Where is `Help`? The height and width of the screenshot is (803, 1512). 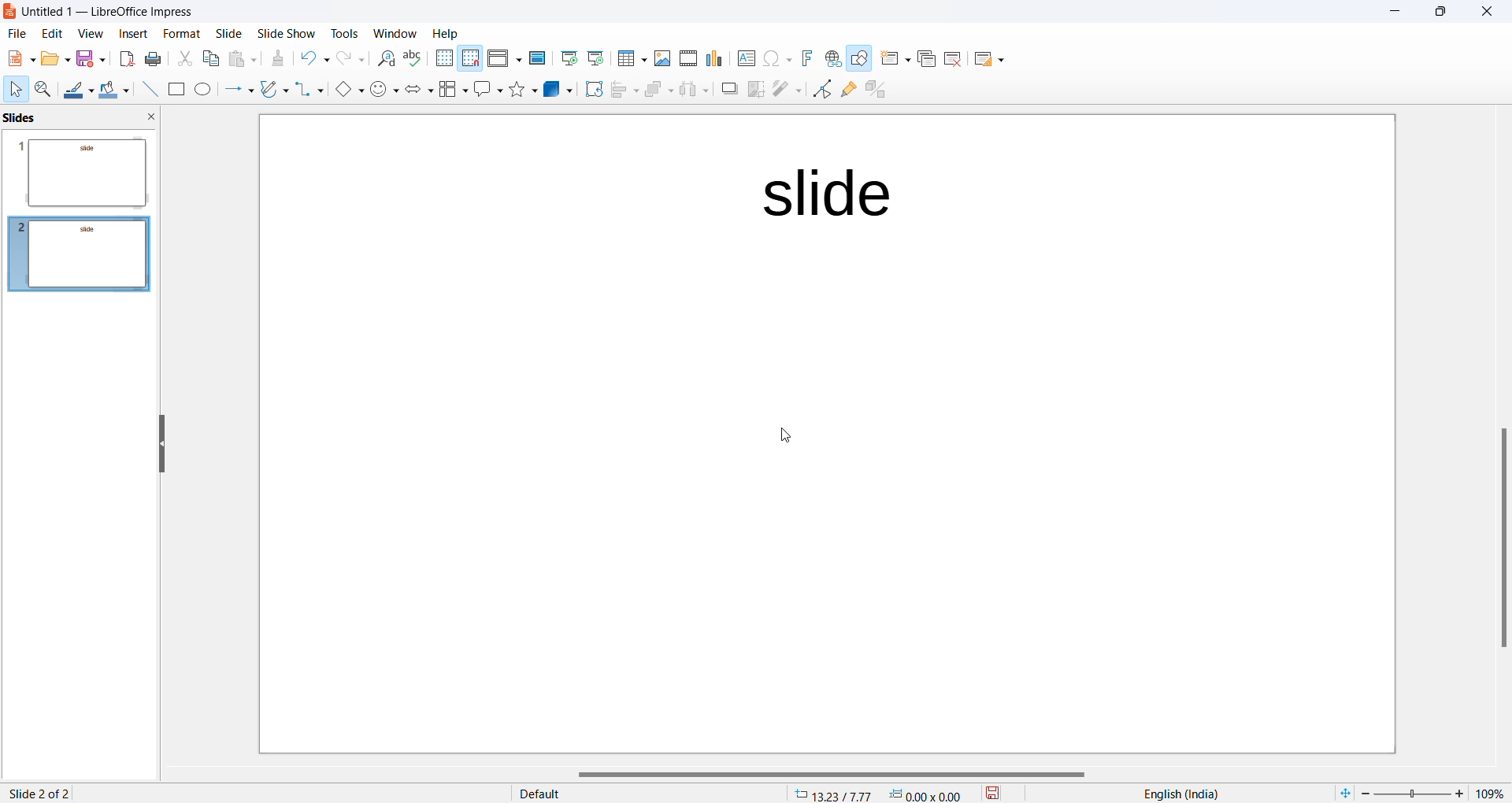
Help is located at coordinates (455, 33).